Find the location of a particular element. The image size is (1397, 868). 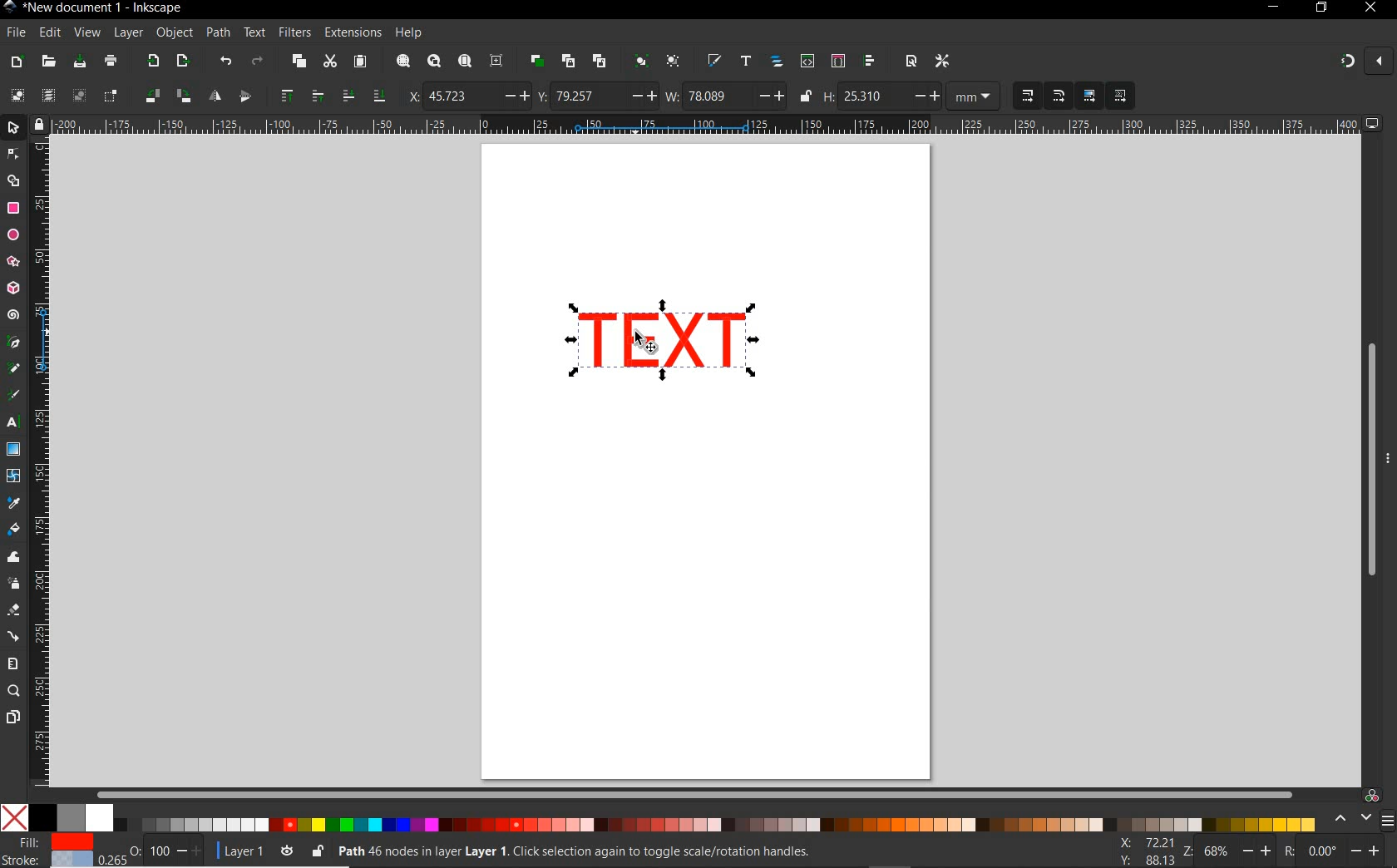

OPEN OBJECTS is located at coordinates (776, 62).